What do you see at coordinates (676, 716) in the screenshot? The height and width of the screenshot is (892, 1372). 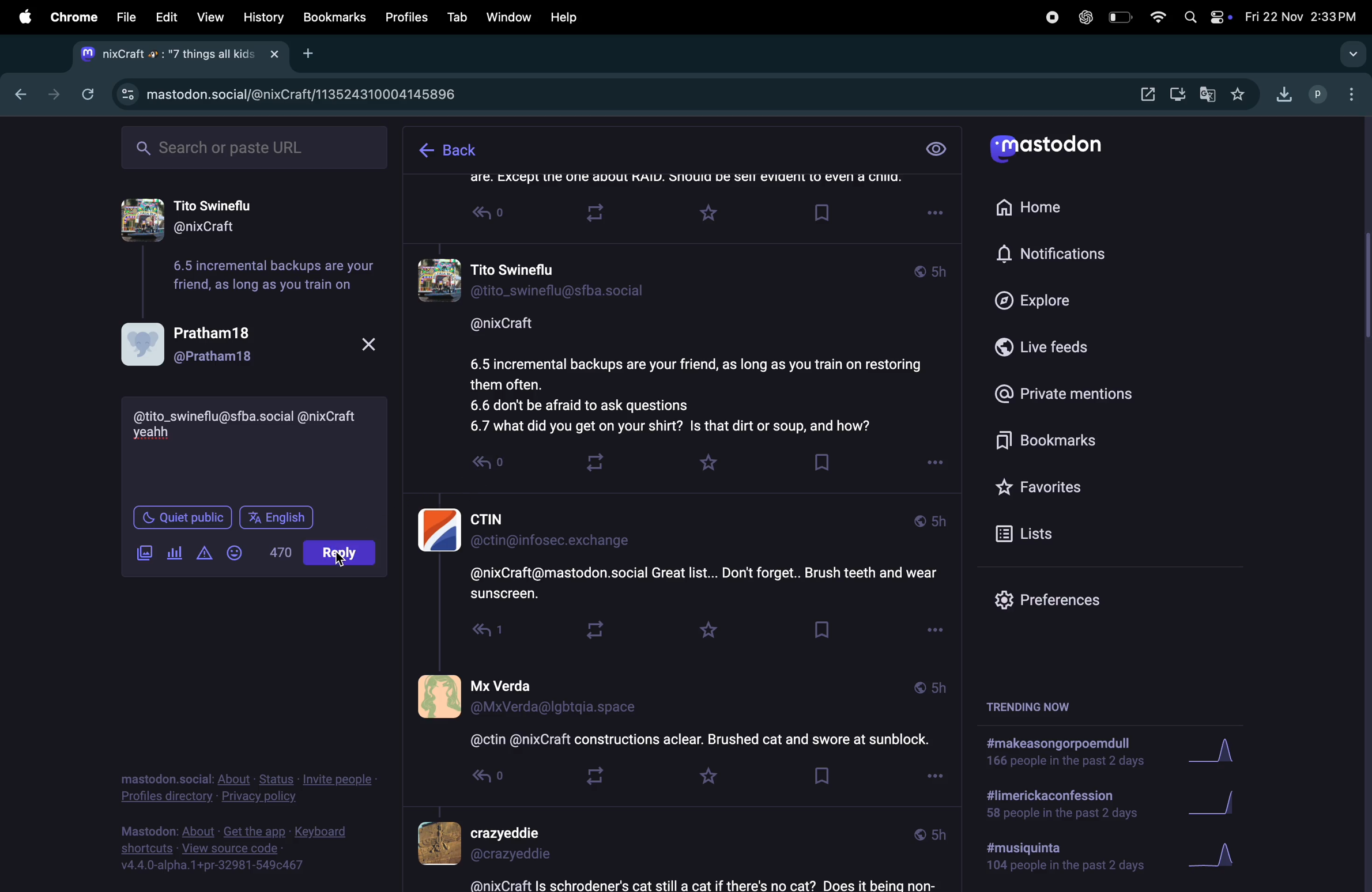 I see `thread` at bounding box center [676, 716].